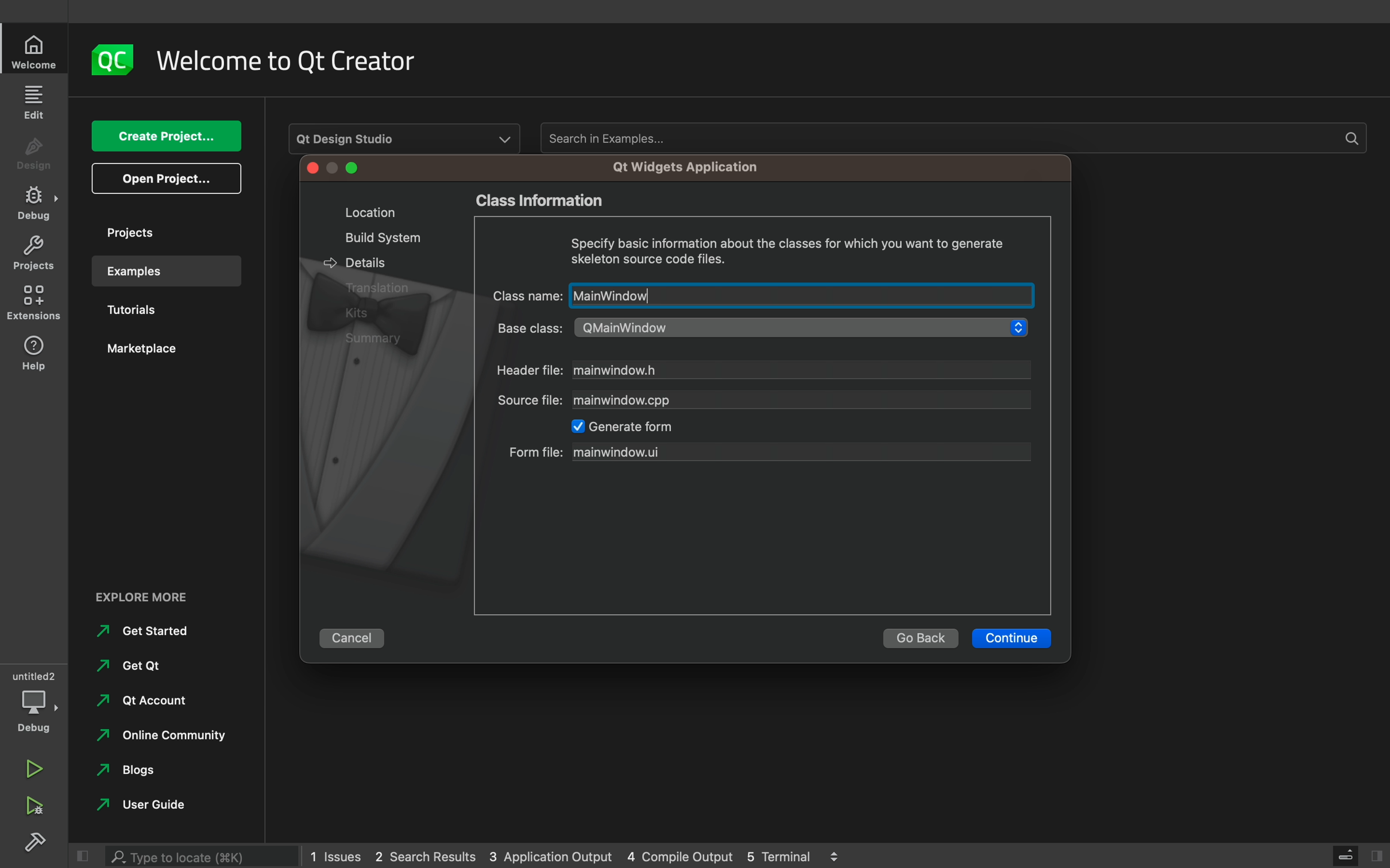 This screenshot has width=1390, height=868. Describe the element at coordinates (756, 327) in the screenshot. I see `Base Class: QMainWindow` at that location.